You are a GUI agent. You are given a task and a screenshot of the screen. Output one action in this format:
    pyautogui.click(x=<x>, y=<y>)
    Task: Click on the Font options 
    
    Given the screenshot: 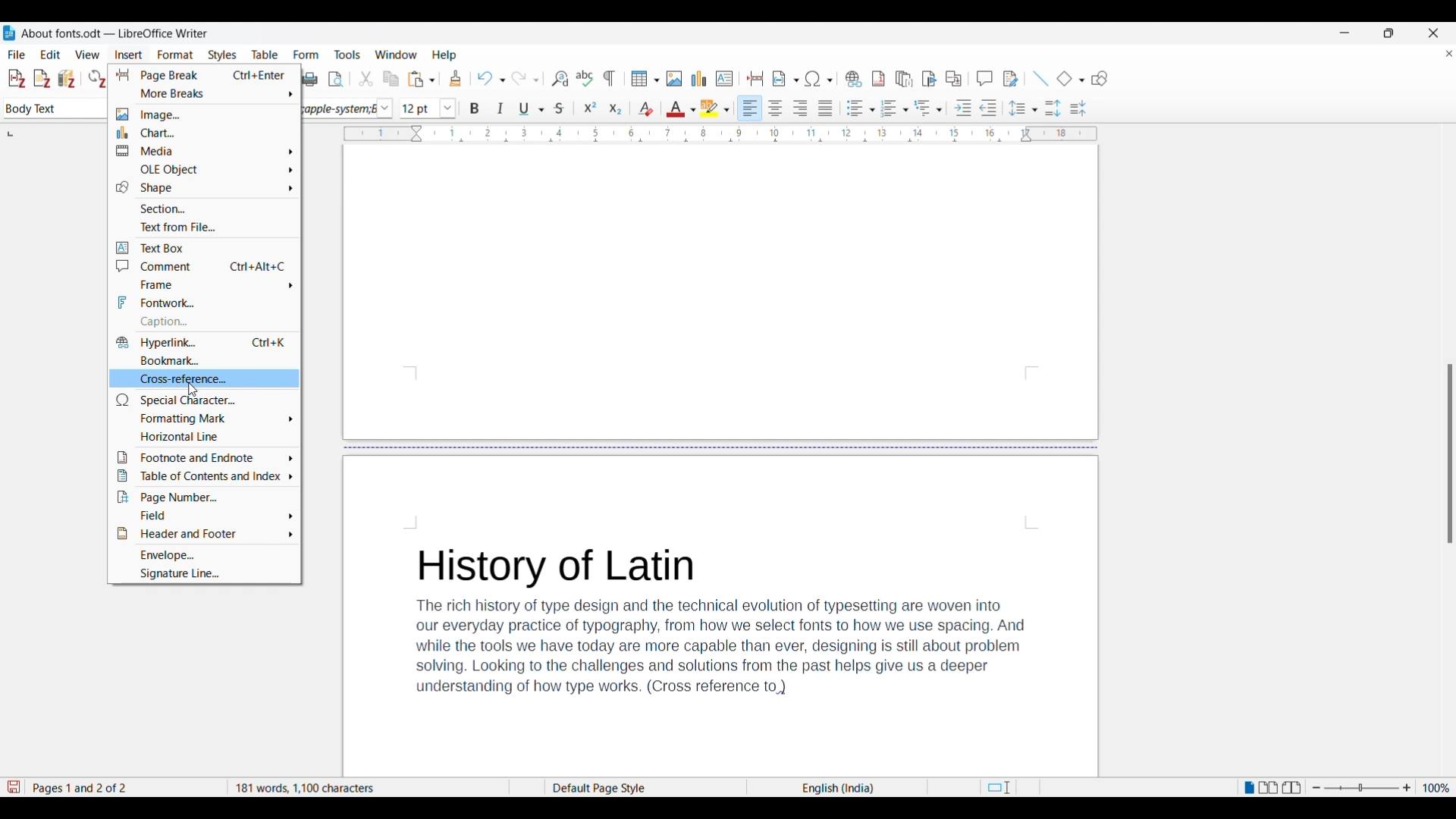 What is the action you would take?
    pyautogui.click(x=384, y=109)
    